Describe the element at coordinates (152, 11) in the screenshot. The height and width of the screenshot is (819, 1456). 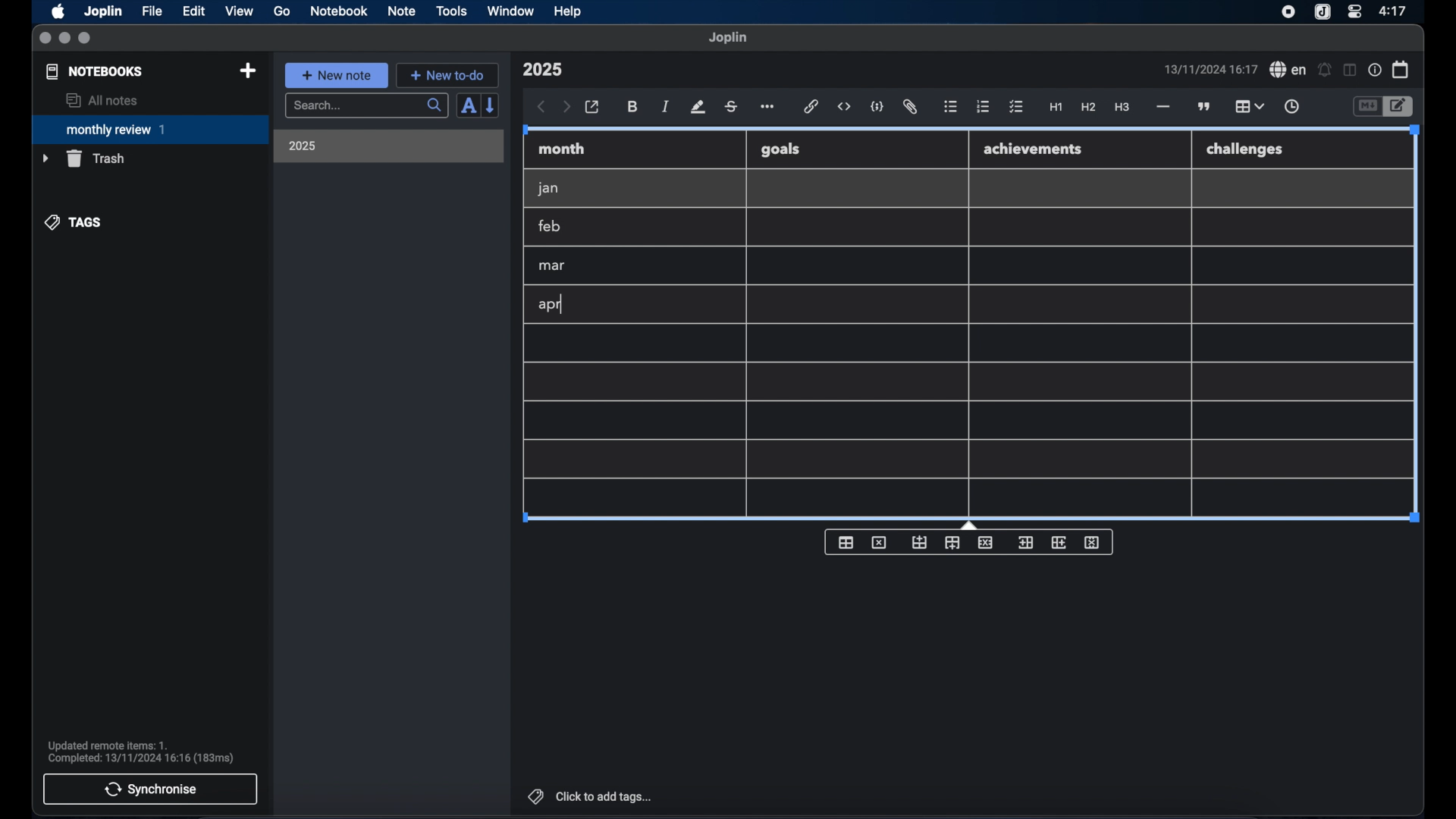
I see `file` at that location.